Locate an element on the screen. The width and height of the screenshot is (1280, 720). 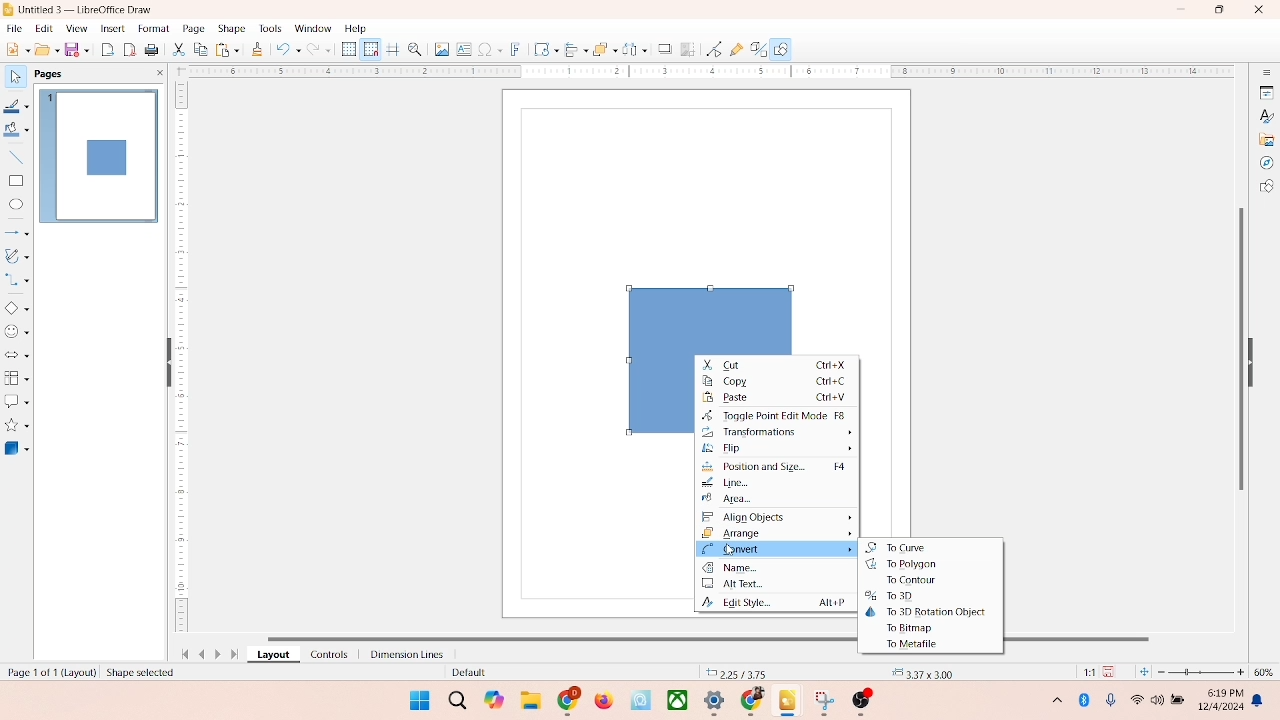
textbox is located at coordinates (463, 51).